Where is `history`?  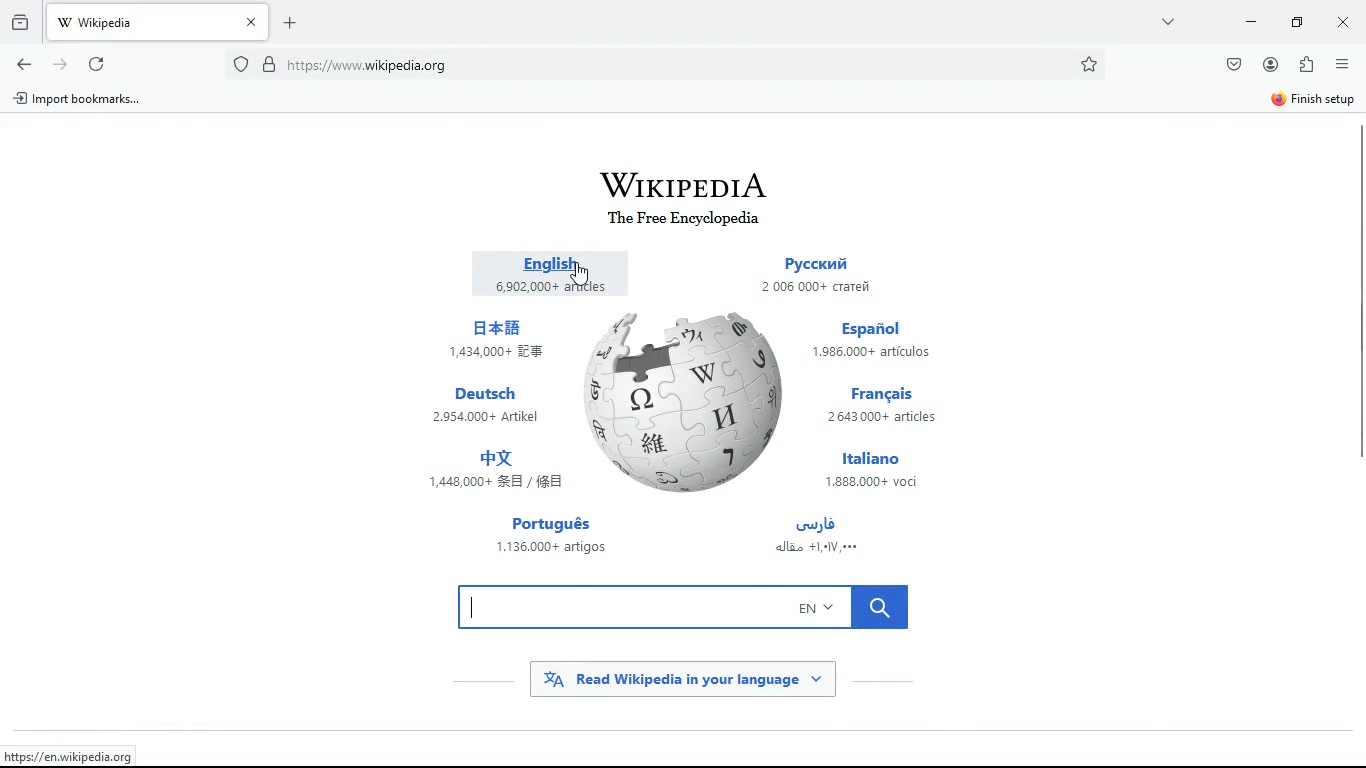 history is located at coordinates (19, 24).